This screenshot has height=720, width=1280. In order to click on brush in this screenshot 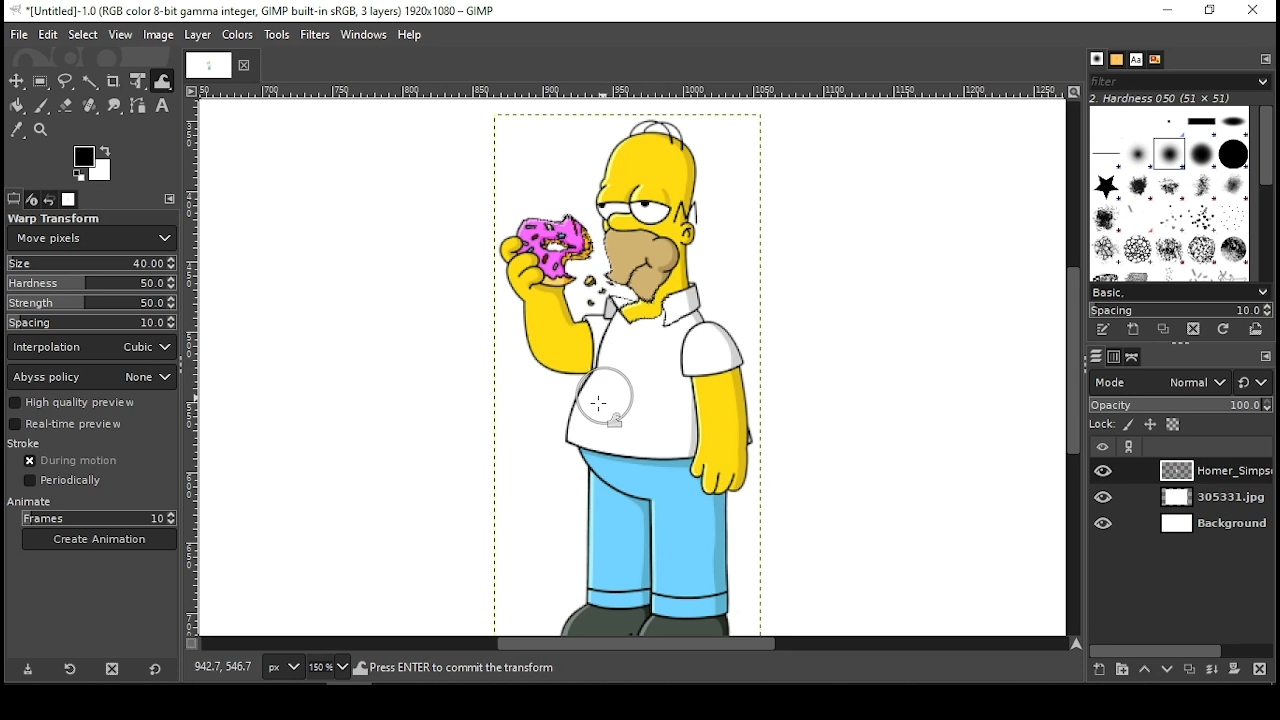, I will do `click(1097, 58)`.